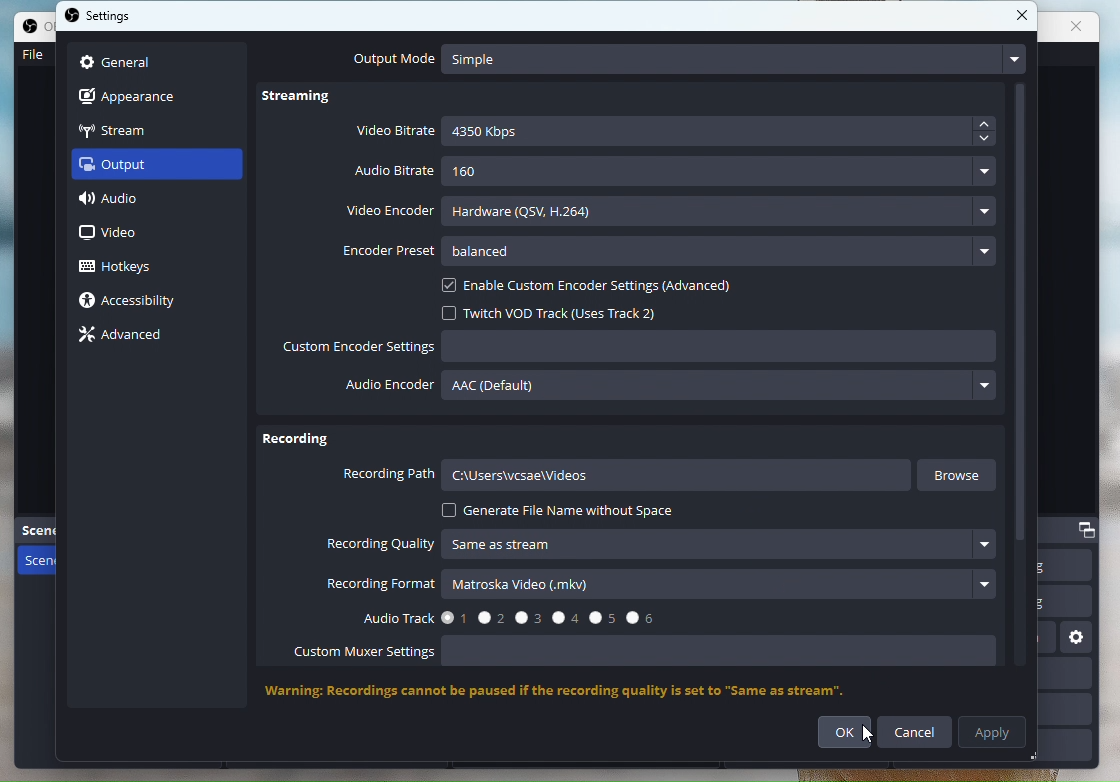 The image size is (1120, 782). What do you see at coordinates (1022, 16) in the screenshot?
I see `close` at bounding box center [1022, 16].